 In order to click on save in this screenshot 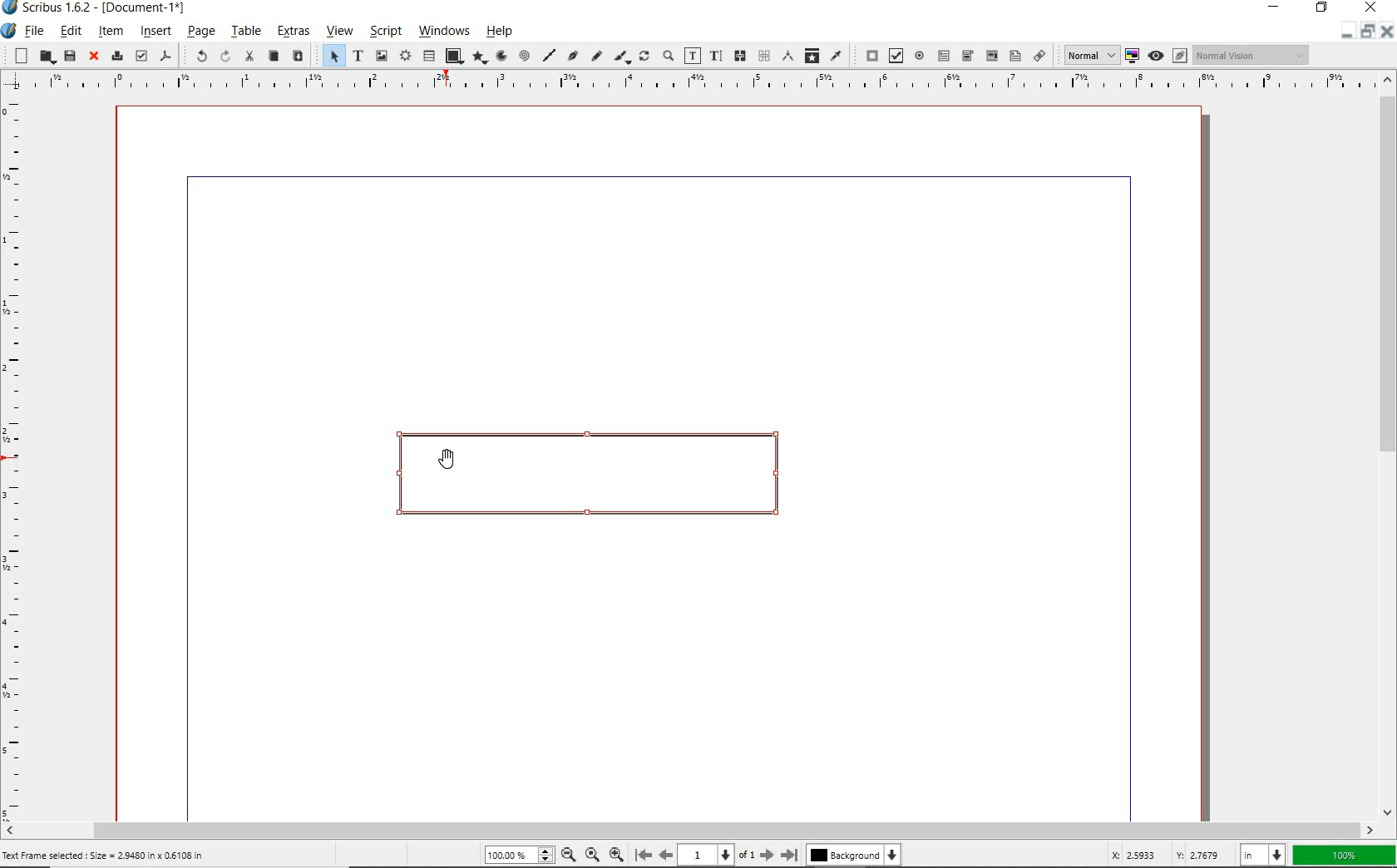, I will do `click(69, 56)`.